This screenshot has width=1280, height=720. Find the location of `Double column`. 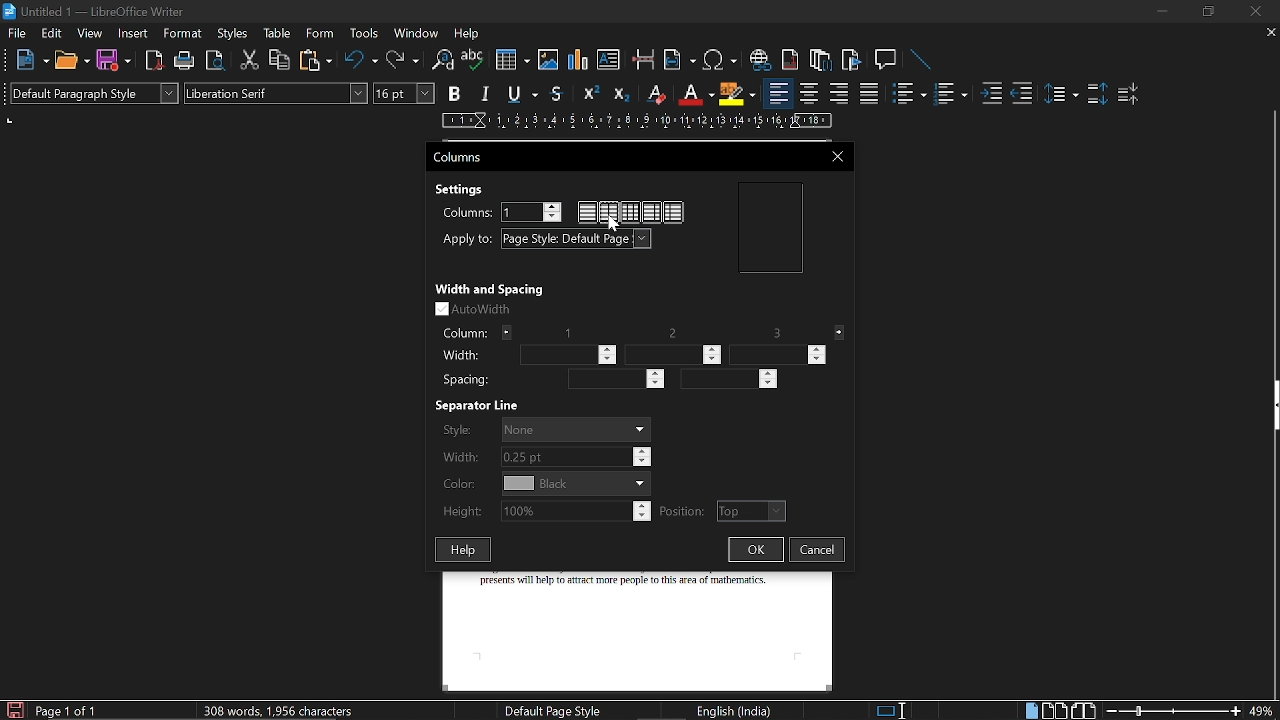

Double column is located at coordinates (609, 212).